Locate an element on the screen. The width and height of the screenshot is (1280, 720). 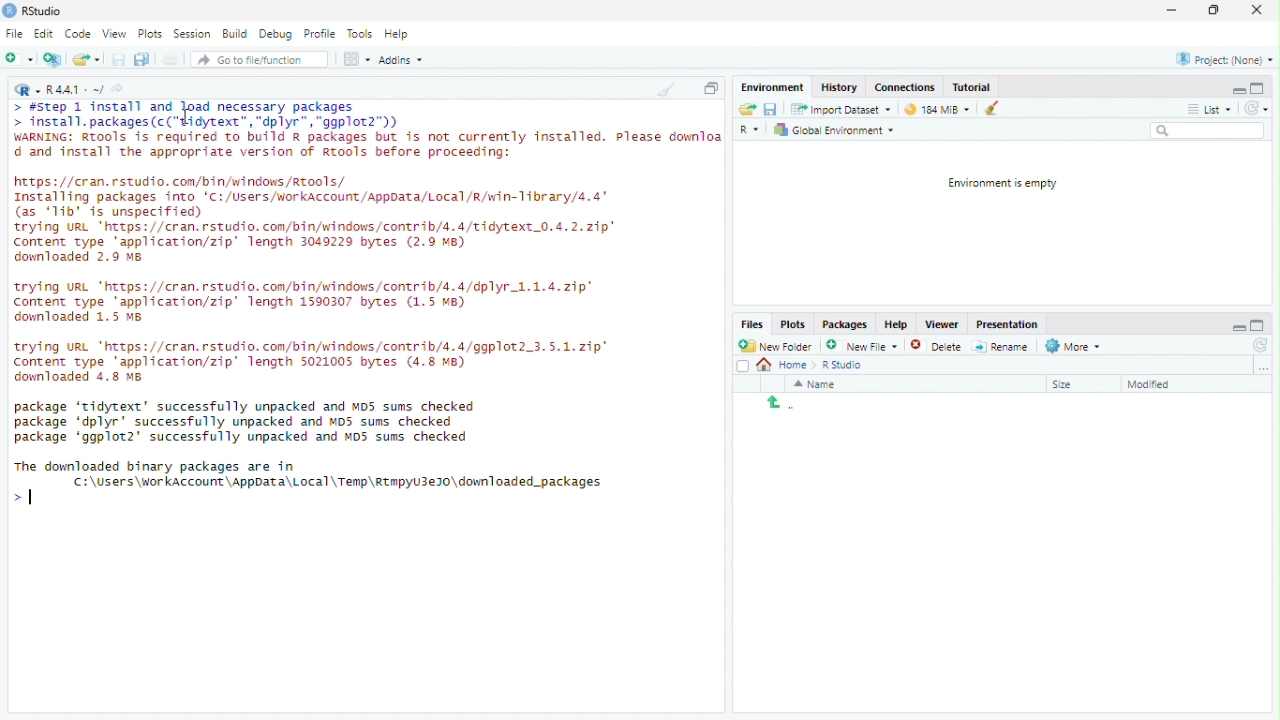
Add new file is located at coordinates (18, 57).